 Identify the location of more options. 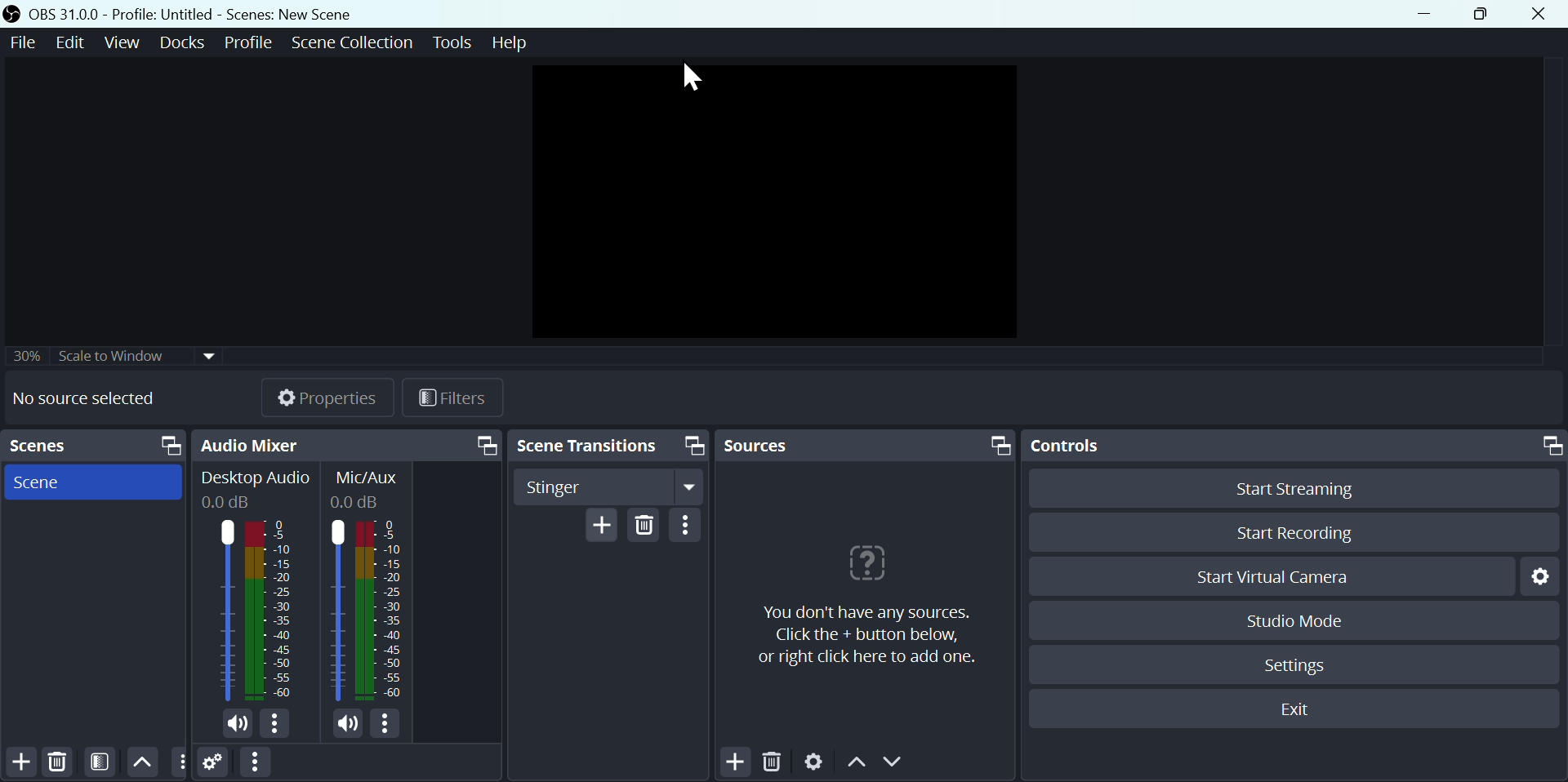
(390, 726).